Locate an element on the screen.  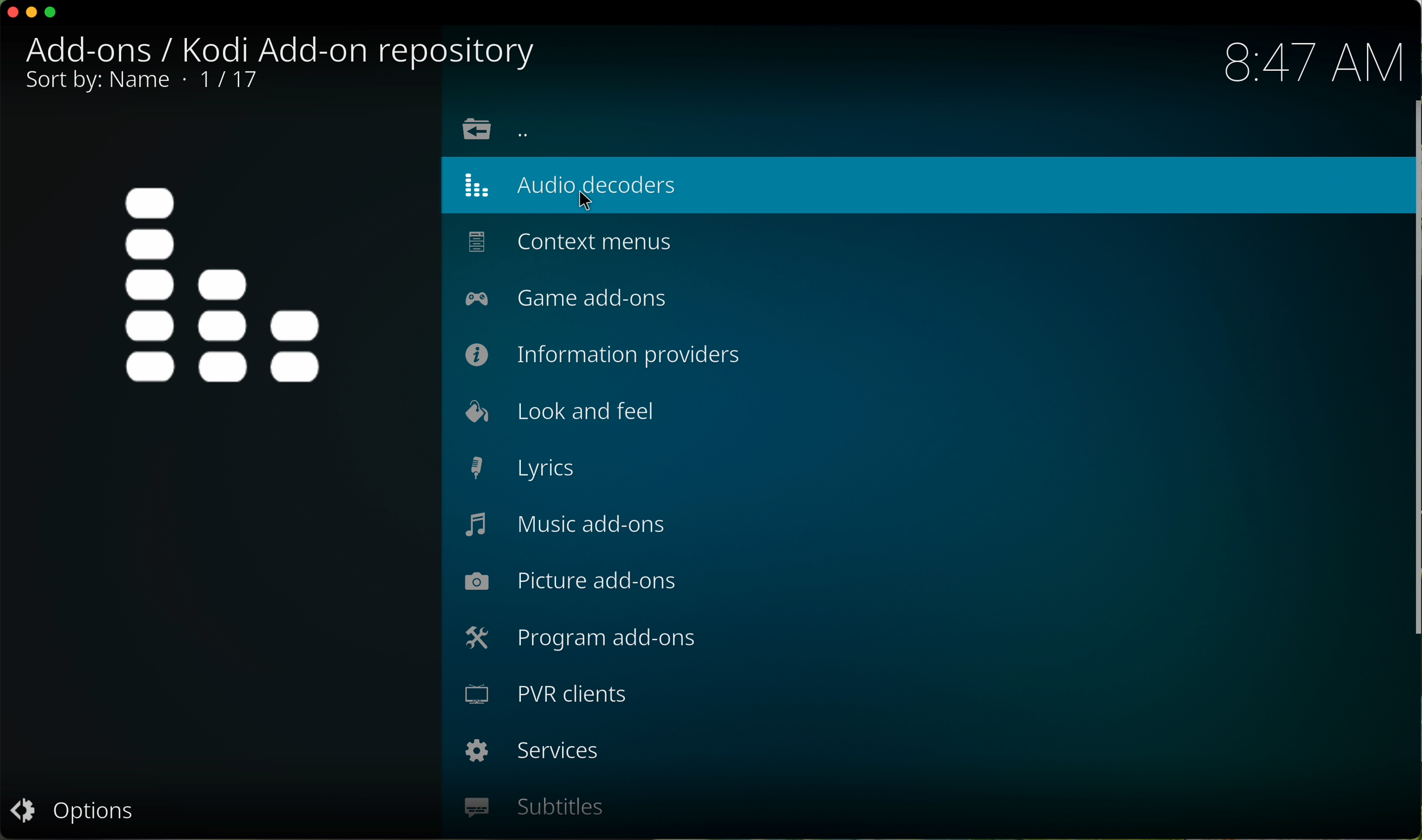
click on audio decoders is located at coordinates (916, 186).